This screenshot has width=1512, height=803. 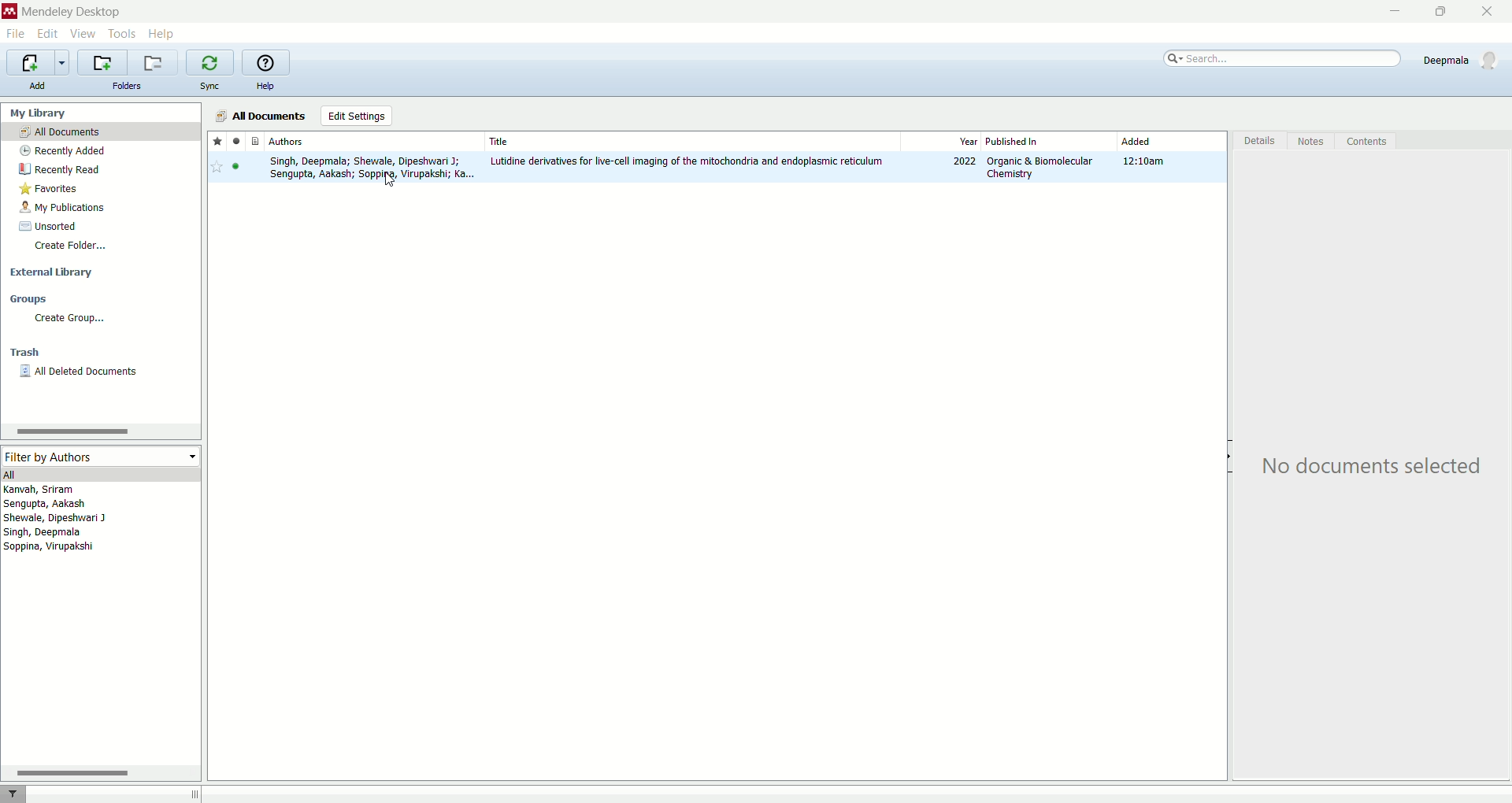 I want to click on create folder, so click(x=101, y=247).